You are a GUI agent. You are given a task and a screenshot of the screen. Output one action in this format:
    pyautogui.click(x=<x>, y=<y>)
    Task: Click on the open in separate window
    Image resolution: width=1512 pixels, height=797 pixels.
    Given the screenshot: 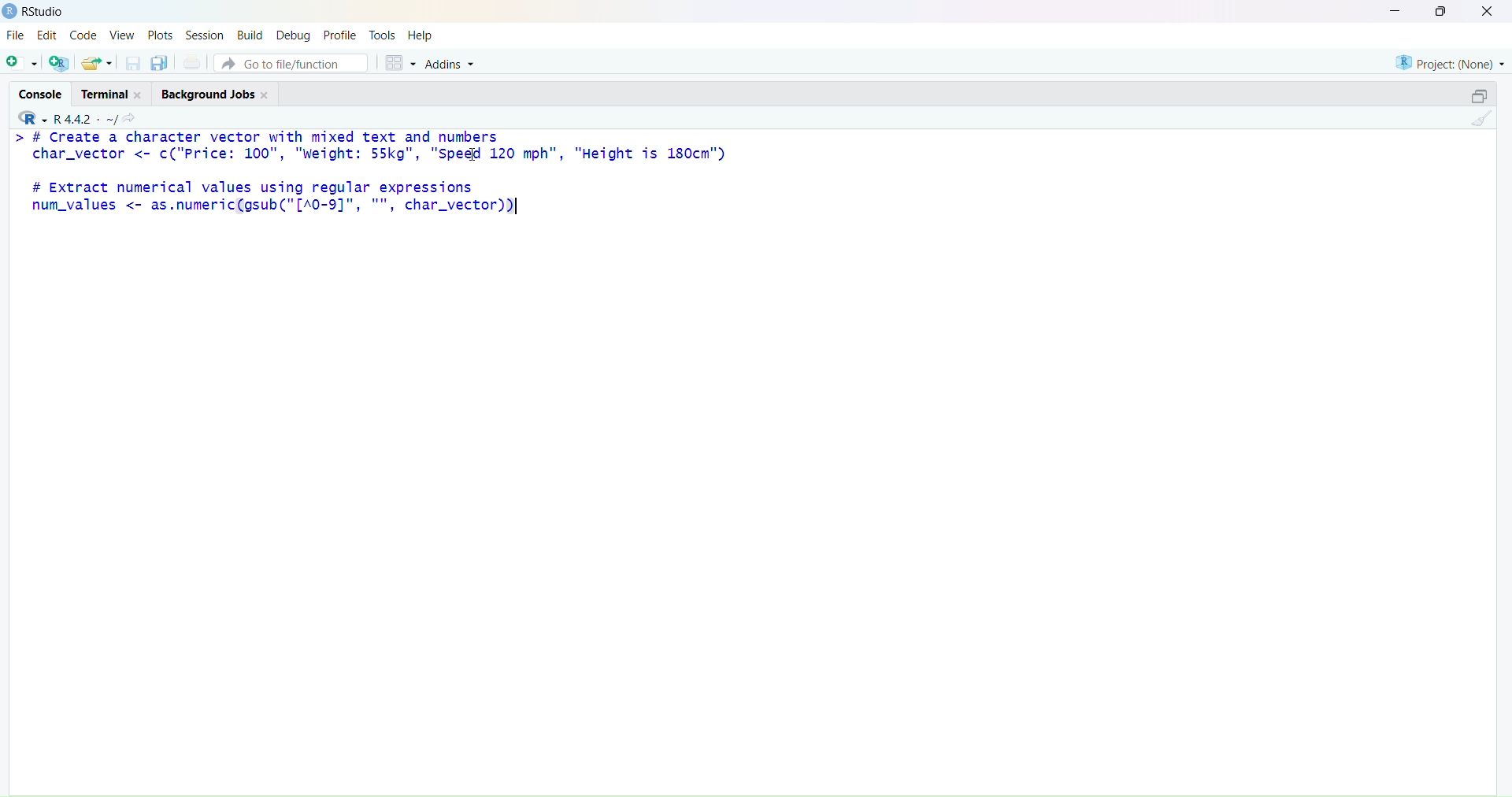 What is the action you would take?
    pyautogui.click(x=1479, y=95)
    